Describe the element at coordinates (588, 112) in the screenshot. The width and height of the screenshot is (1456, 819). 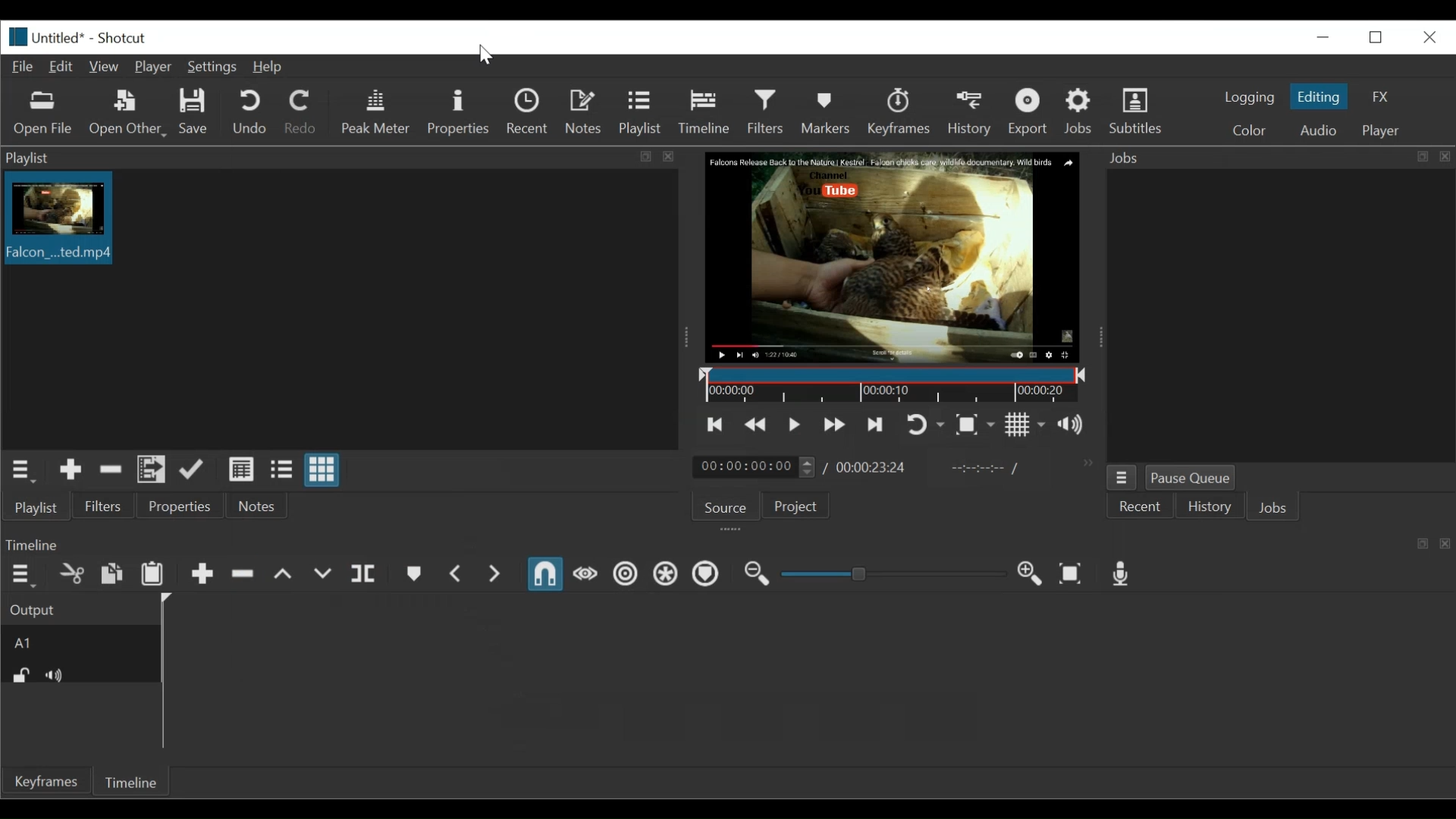
I see `Notes` at that location.